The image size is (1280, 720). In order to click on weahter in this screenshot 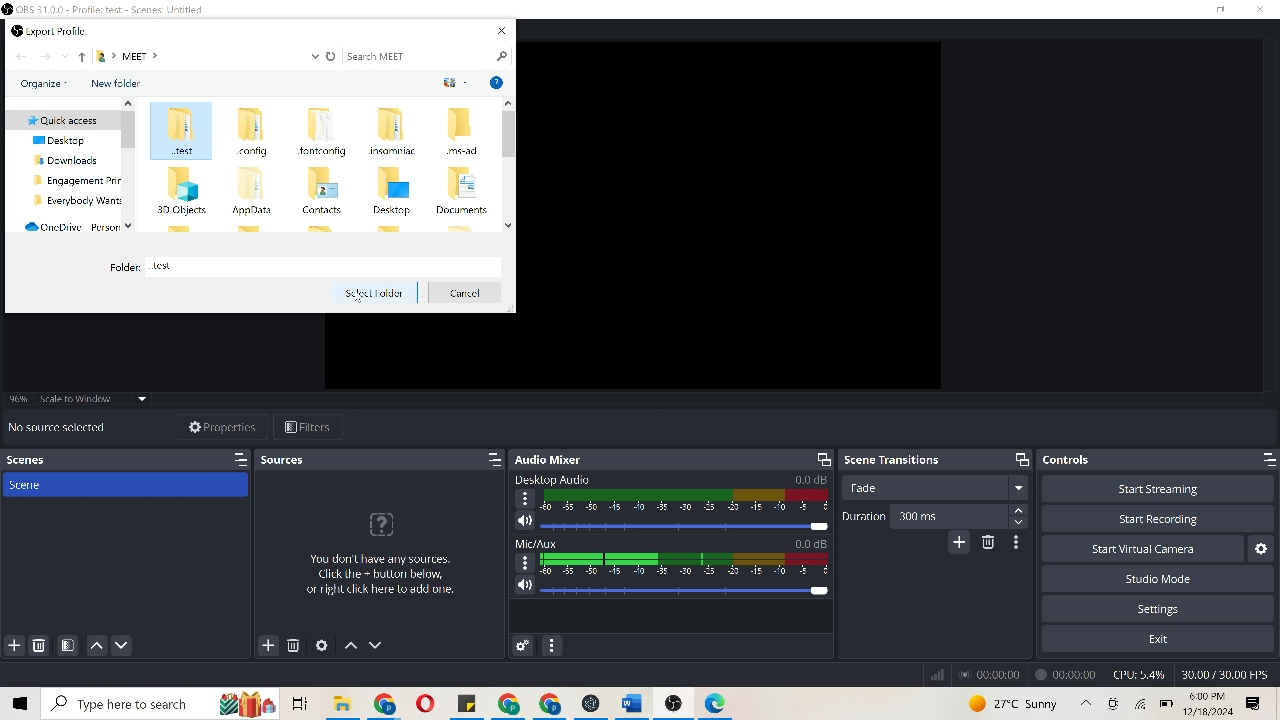, I will do `click(1014, 702)`.